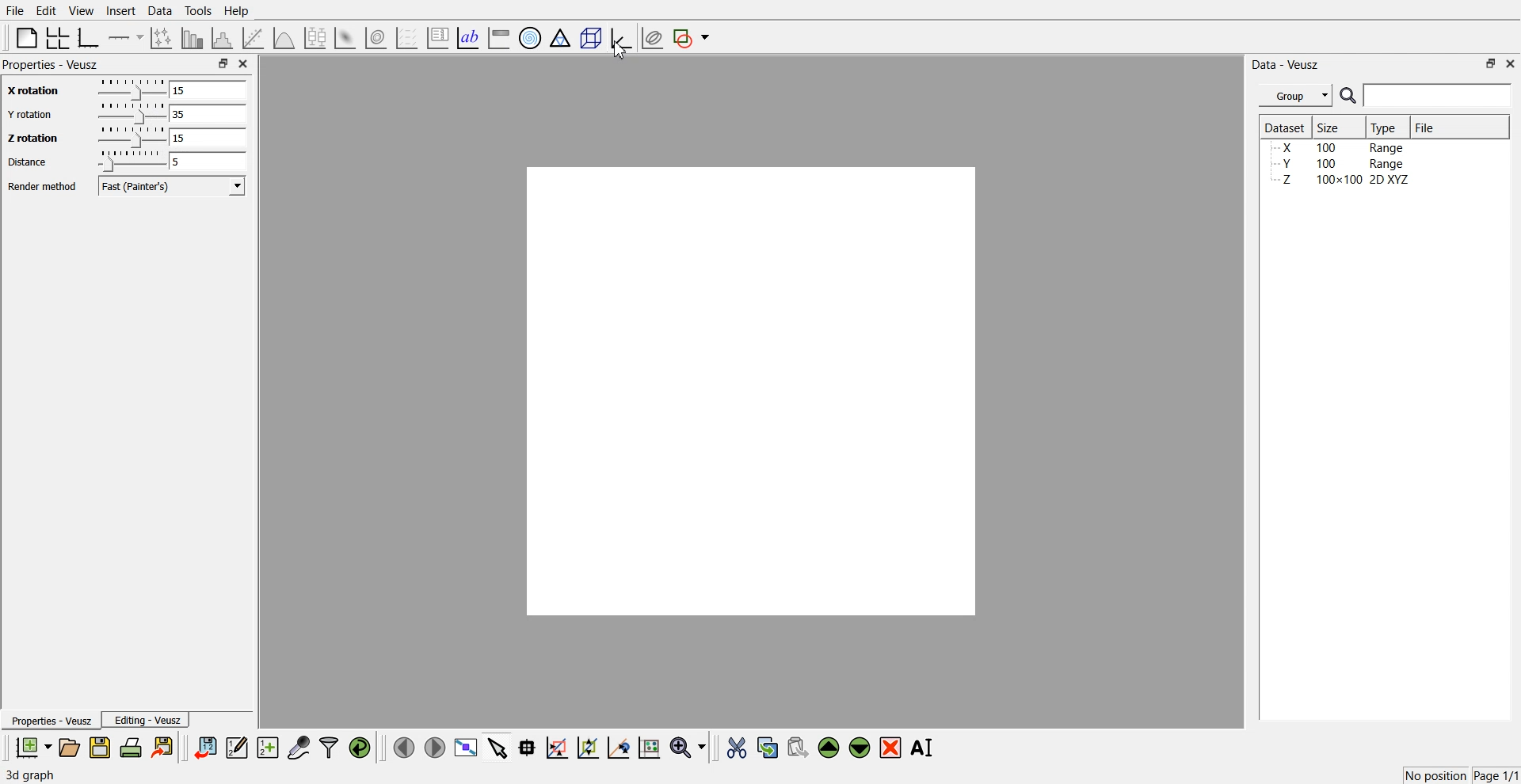  Describe the element at coordinates (130, 161) in the screenshot. I see `Drag Handle` at that location.